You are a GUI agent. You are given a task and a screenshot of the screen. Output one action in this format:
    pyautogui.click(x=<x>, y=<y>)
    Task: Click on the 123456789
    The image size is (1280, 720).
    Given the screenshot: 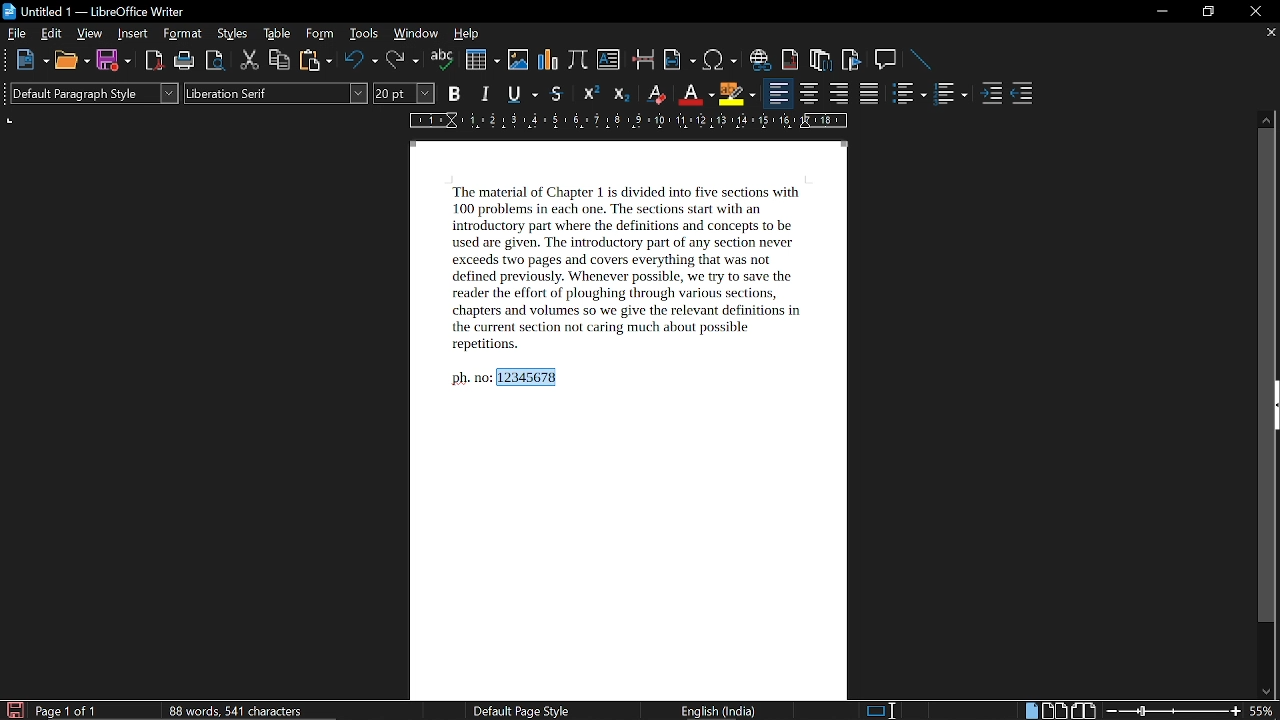 What is the action you would take?
    pyautogui.click(x=529, y=377)
    